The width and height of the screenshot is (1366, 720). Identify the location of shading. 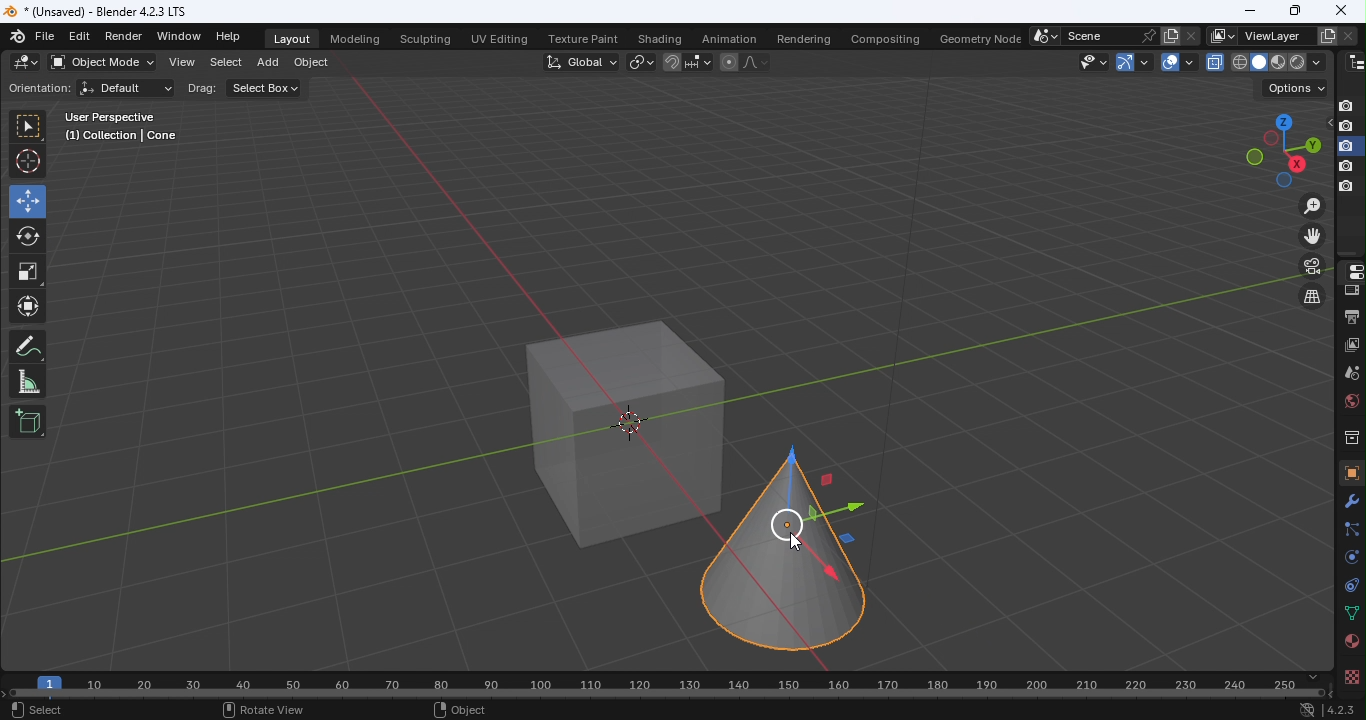
(1315, 61).